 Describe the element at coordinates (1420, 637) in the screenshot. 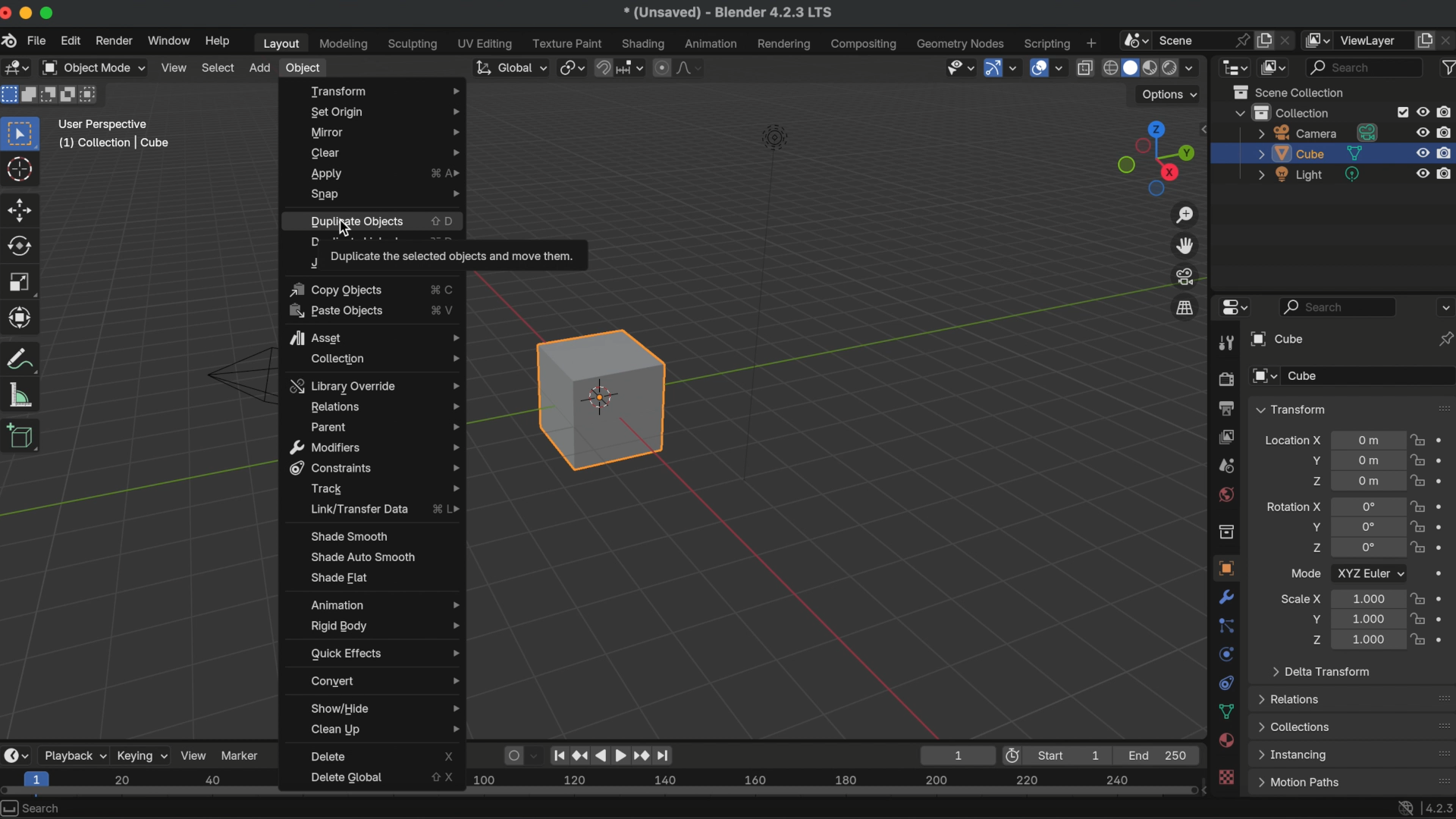

I see `lock scale` at that location.